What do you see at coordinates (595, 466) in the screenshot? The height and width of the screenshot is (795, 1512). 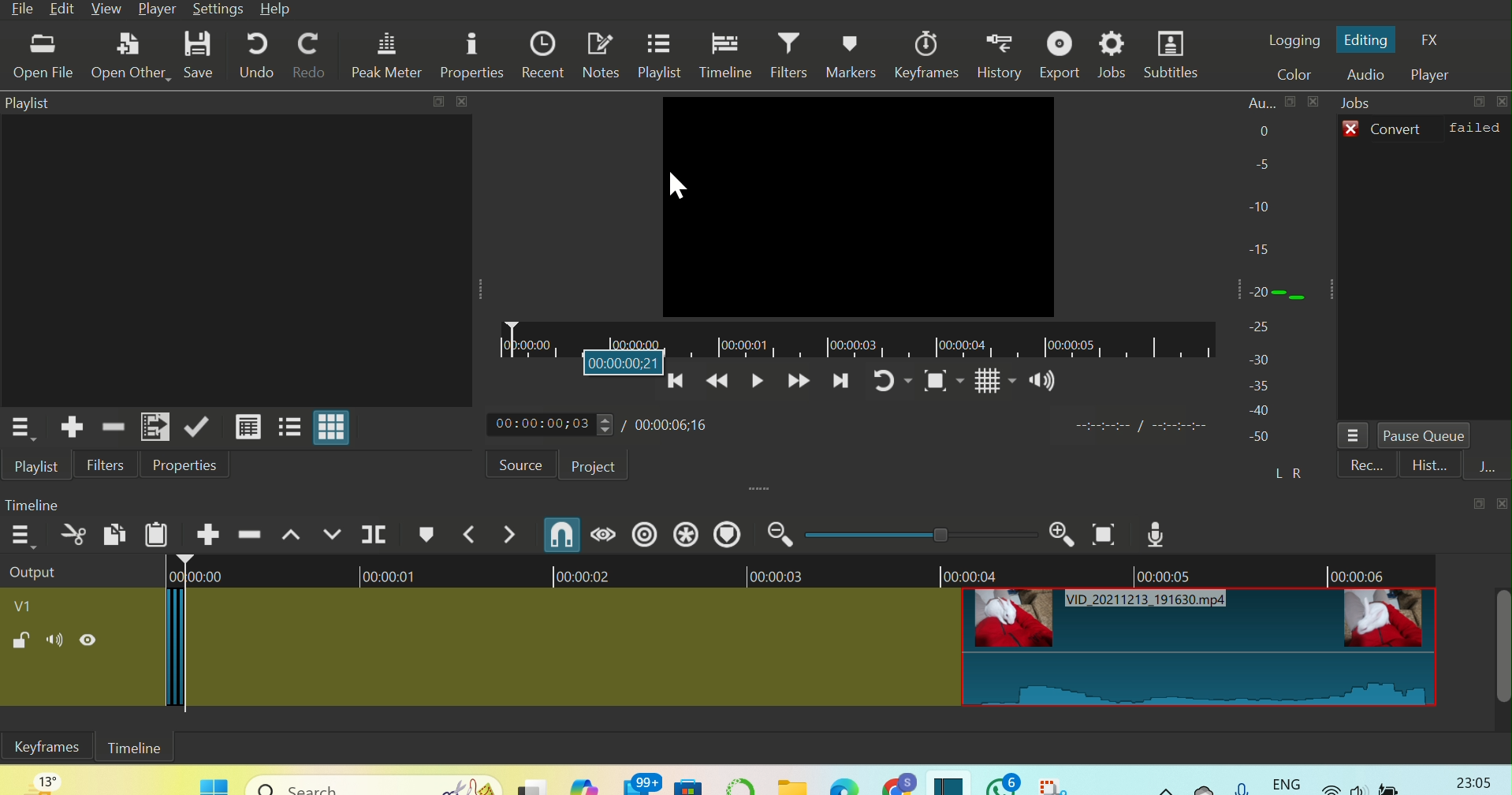 I see `Project` at bounding box center [595, 466].